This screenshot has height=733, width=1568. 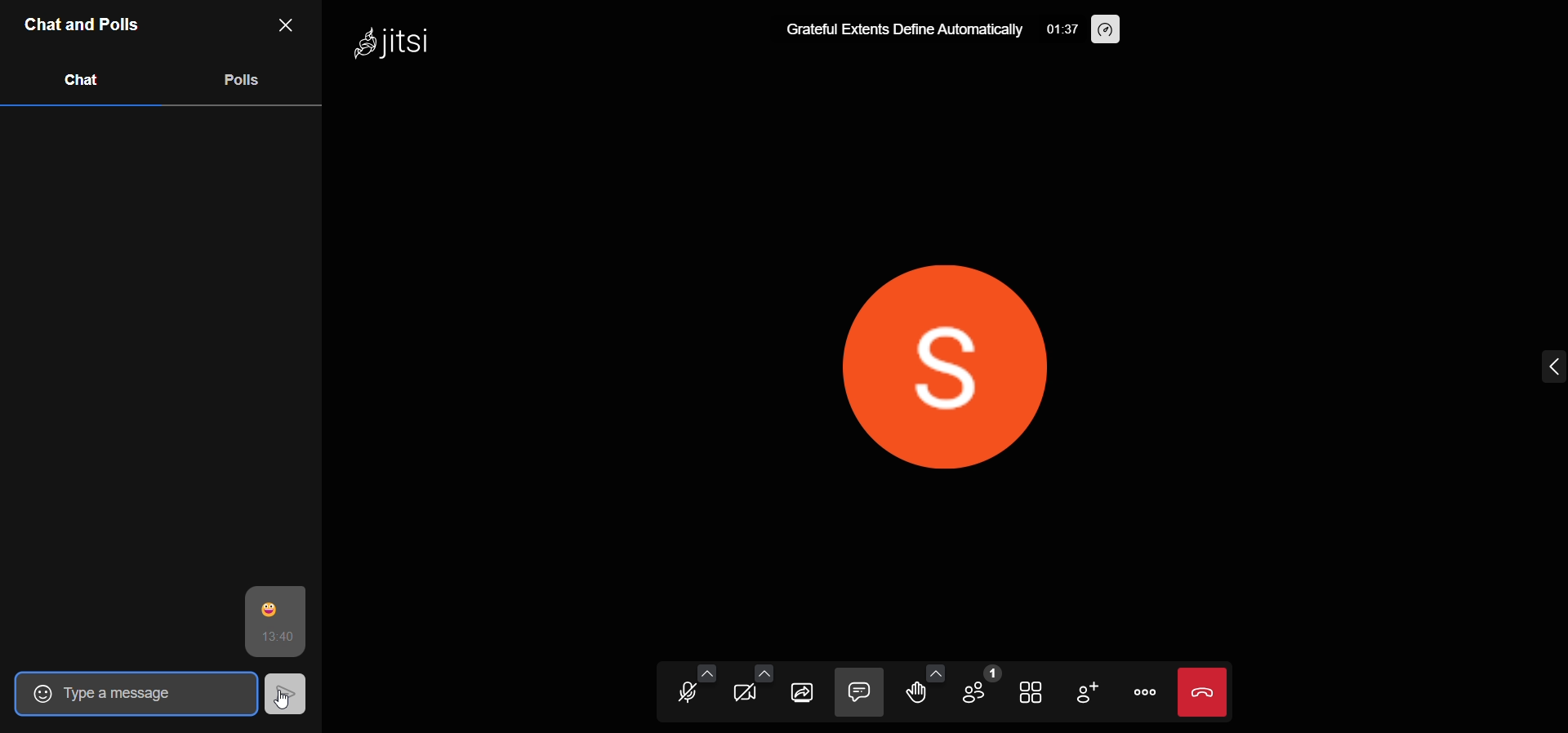 What do you see at coordinates (804, 691) in the screenshot?
I see `screen share` at bounding box center [804, 691].